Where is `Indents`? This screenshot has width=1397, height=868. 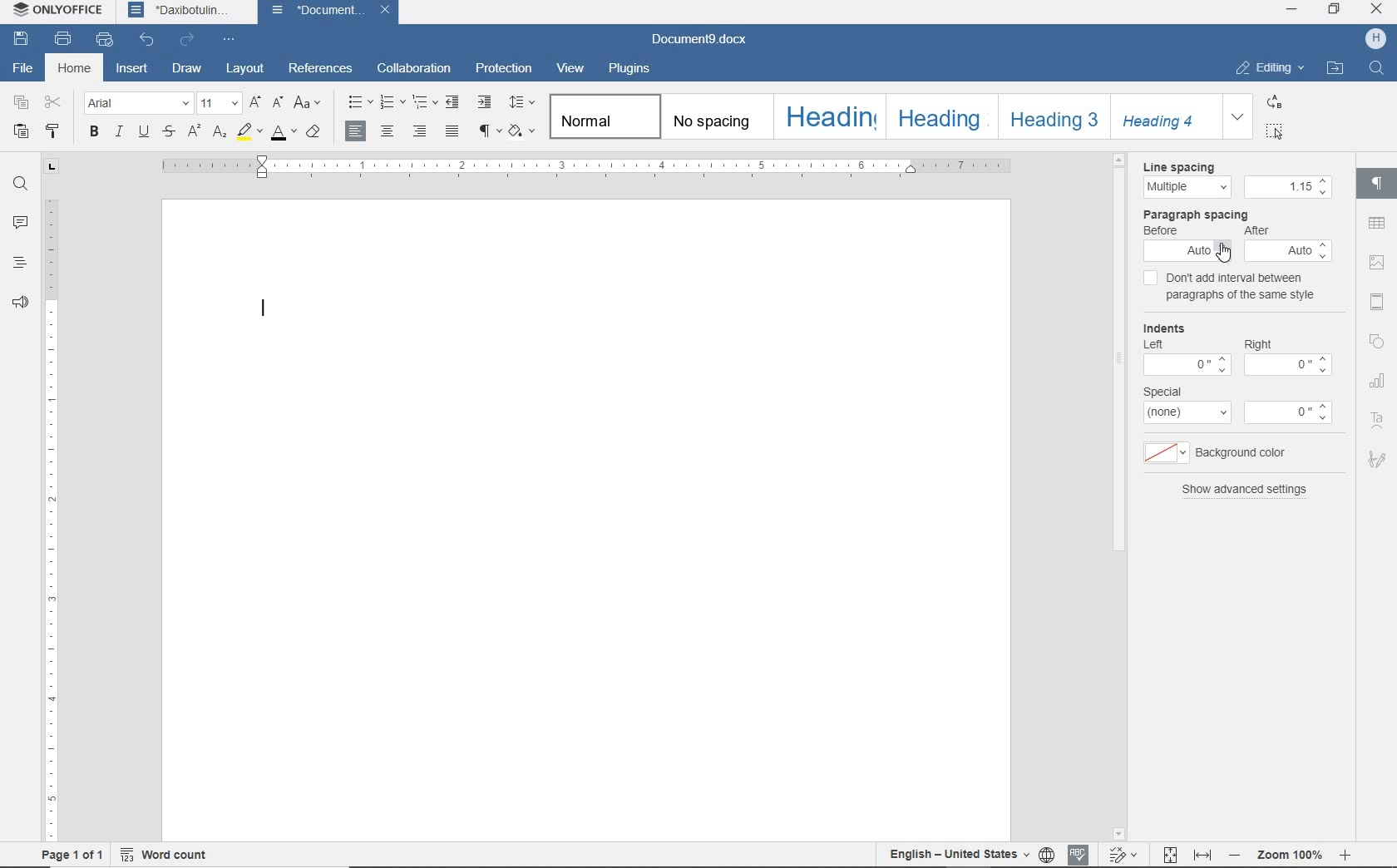 Indents is located at coordinates (1163, 325).